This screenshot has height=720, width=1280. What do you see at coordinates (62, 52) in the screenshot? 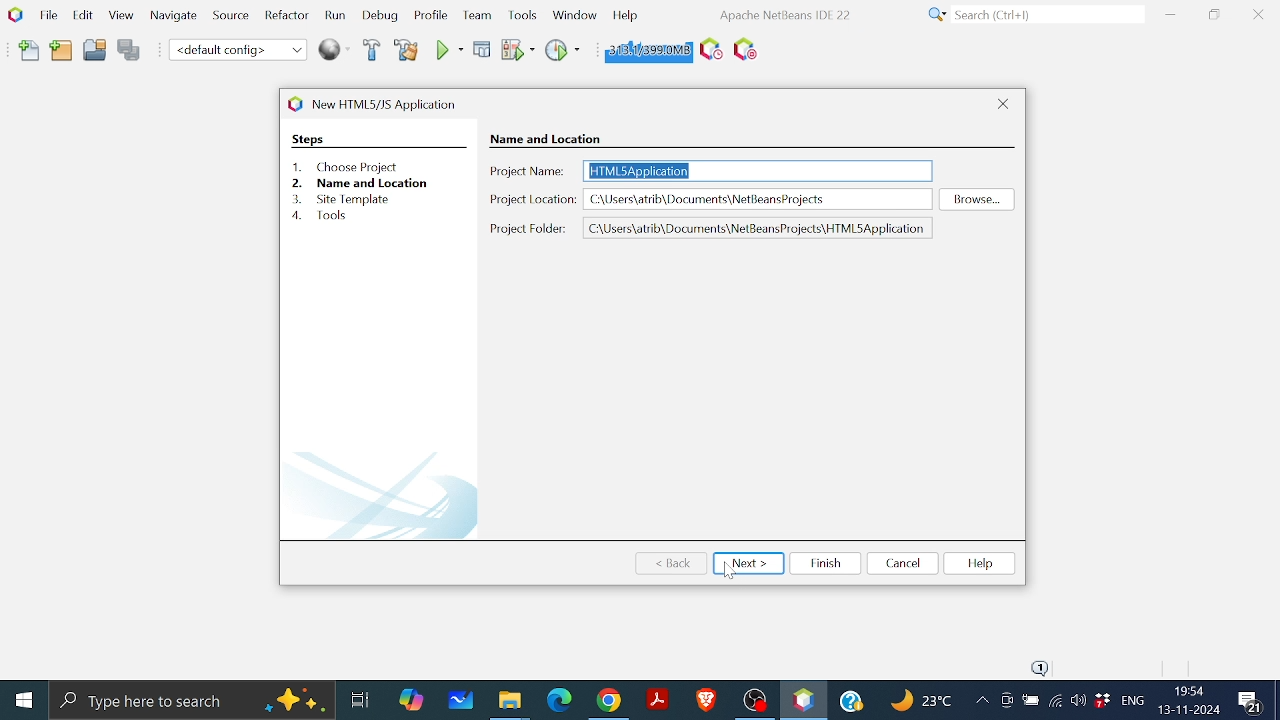
I see `Add folder` at bounding box center [62, 52].